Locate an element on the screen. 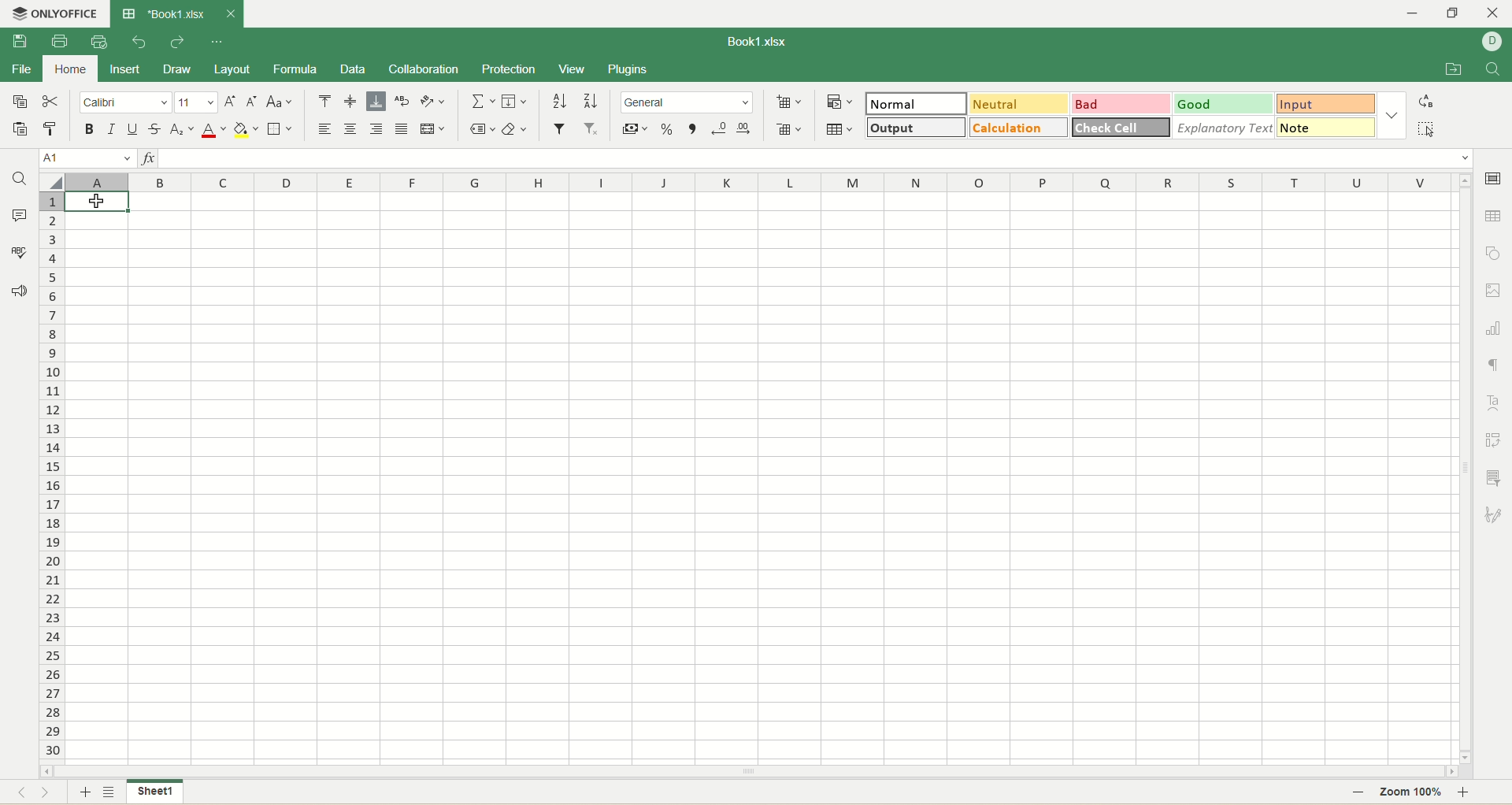  Book1.xlsx is located at coordinates (163, 14).